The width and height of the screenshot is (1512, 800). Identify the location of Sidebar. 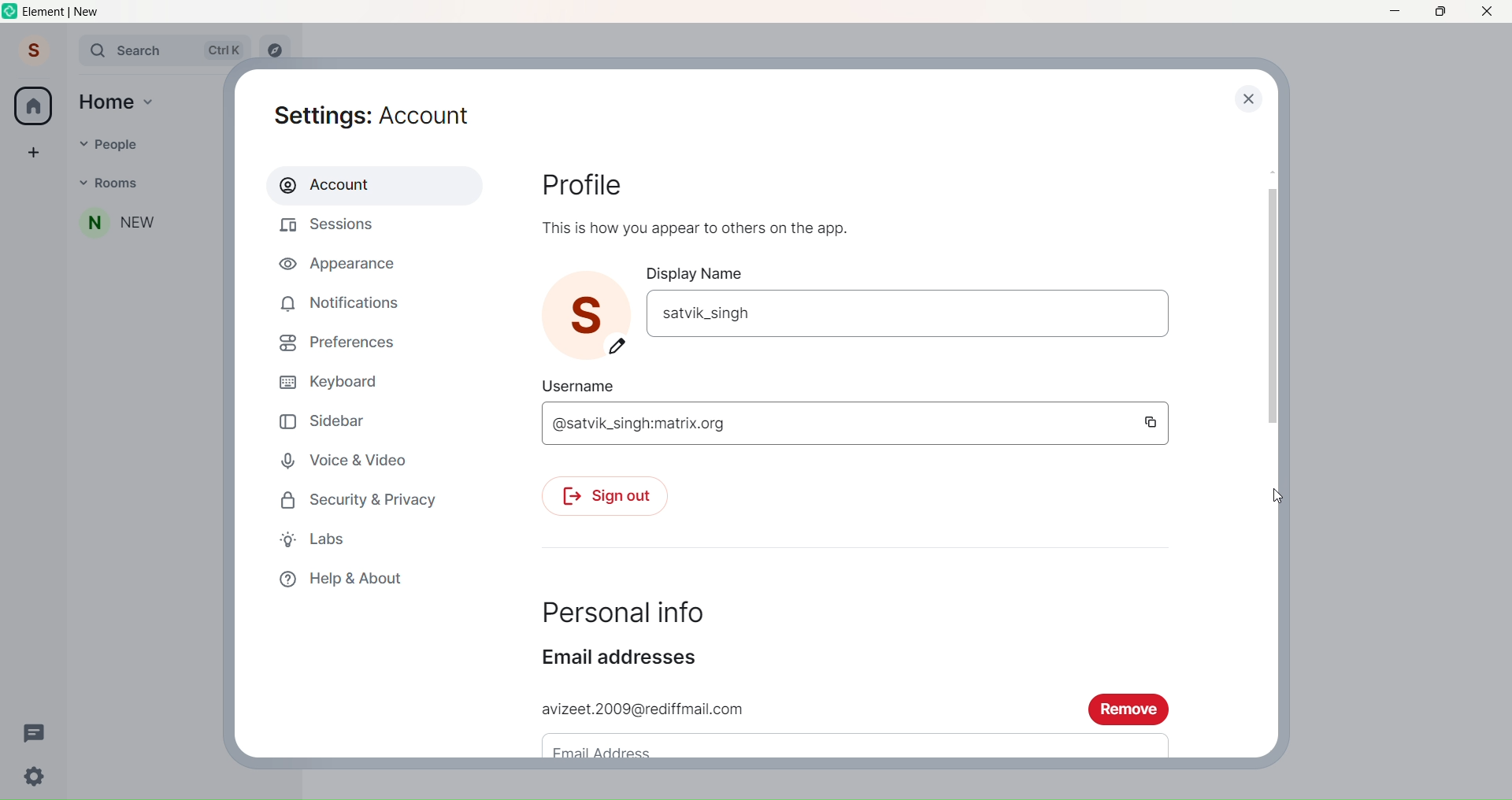
(325, 419).